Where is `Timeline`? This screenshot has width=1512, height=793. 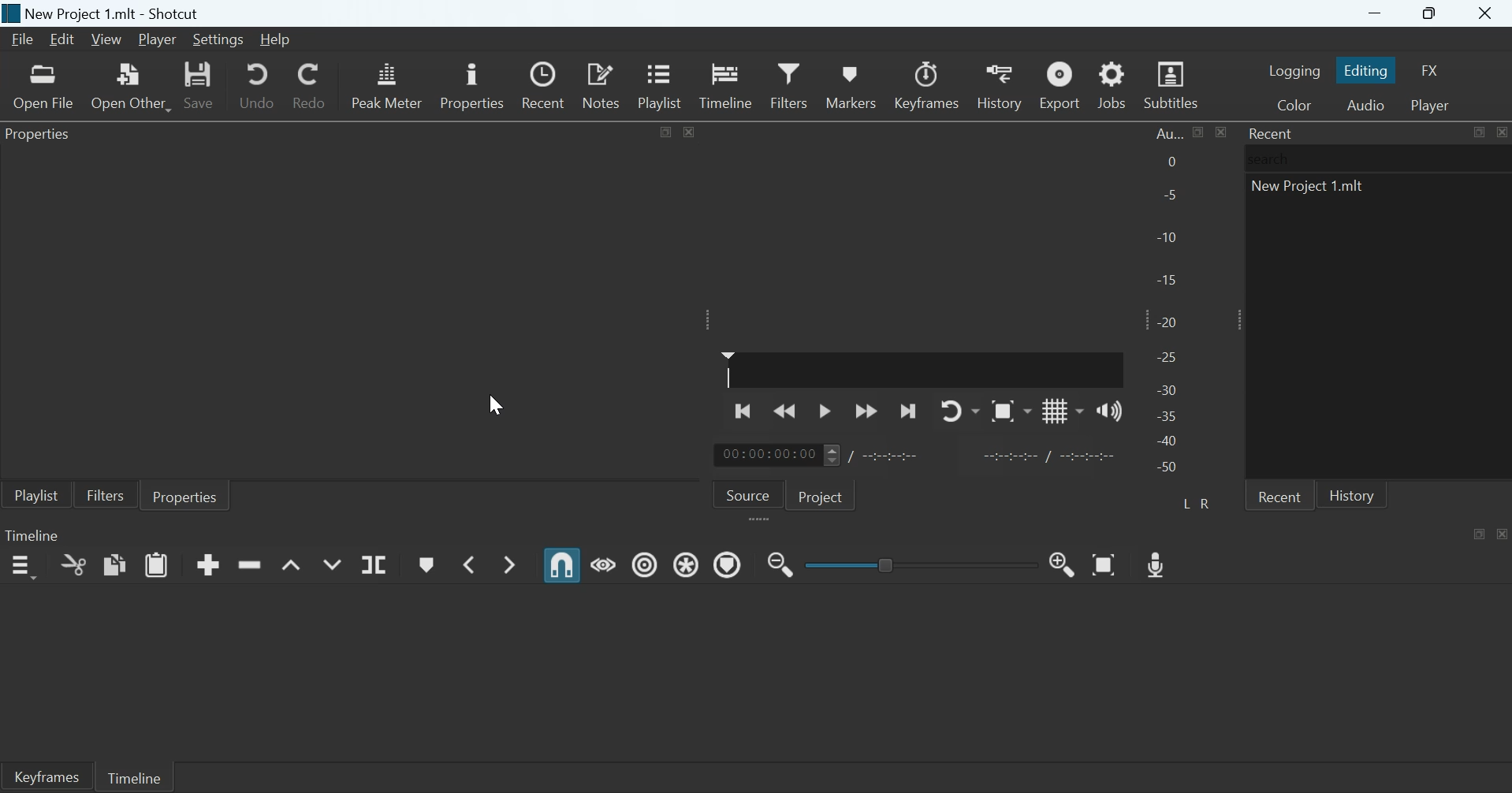
Timeline is located at coordinates (726, 84).